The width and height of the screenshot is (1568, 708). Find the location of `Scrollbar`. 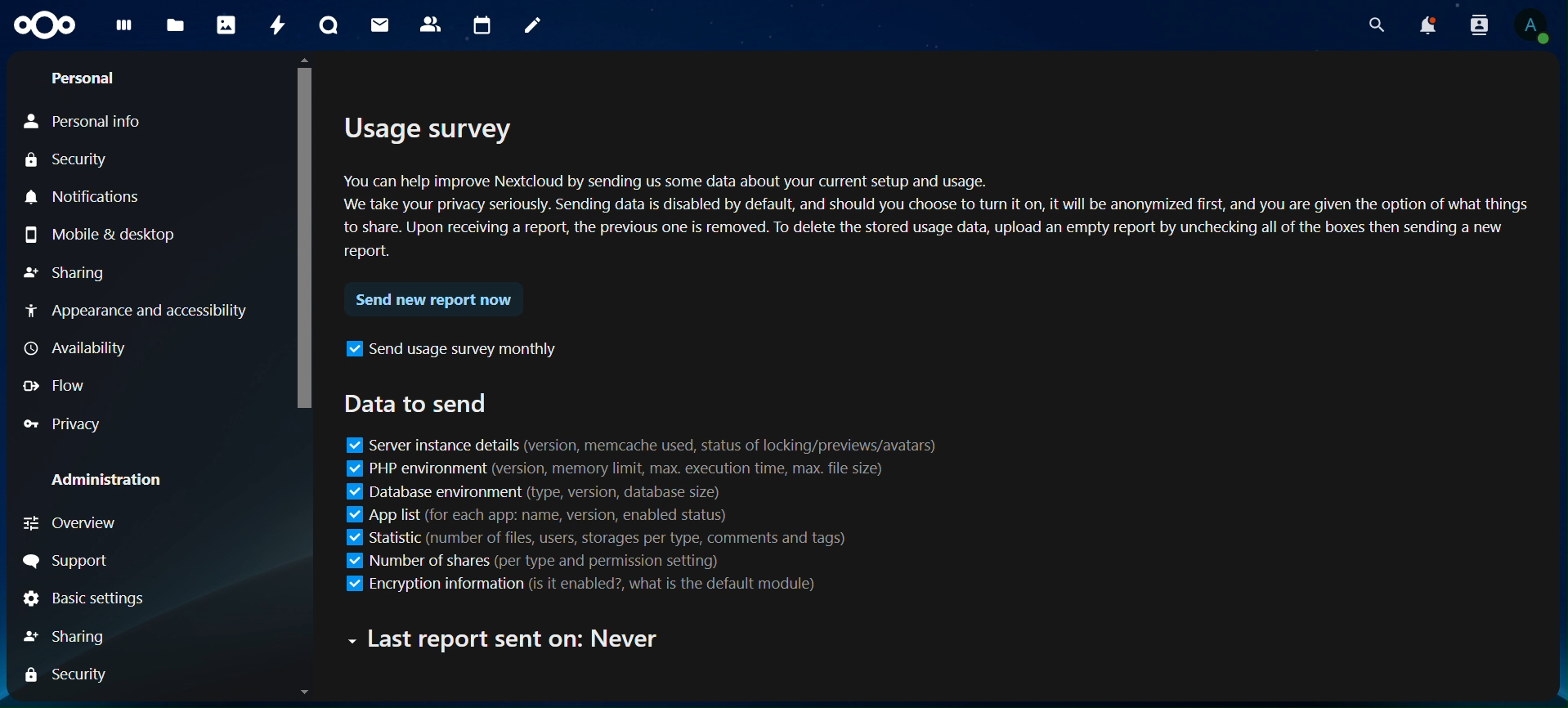

Scrollbar is located at coordinates (307, 379).